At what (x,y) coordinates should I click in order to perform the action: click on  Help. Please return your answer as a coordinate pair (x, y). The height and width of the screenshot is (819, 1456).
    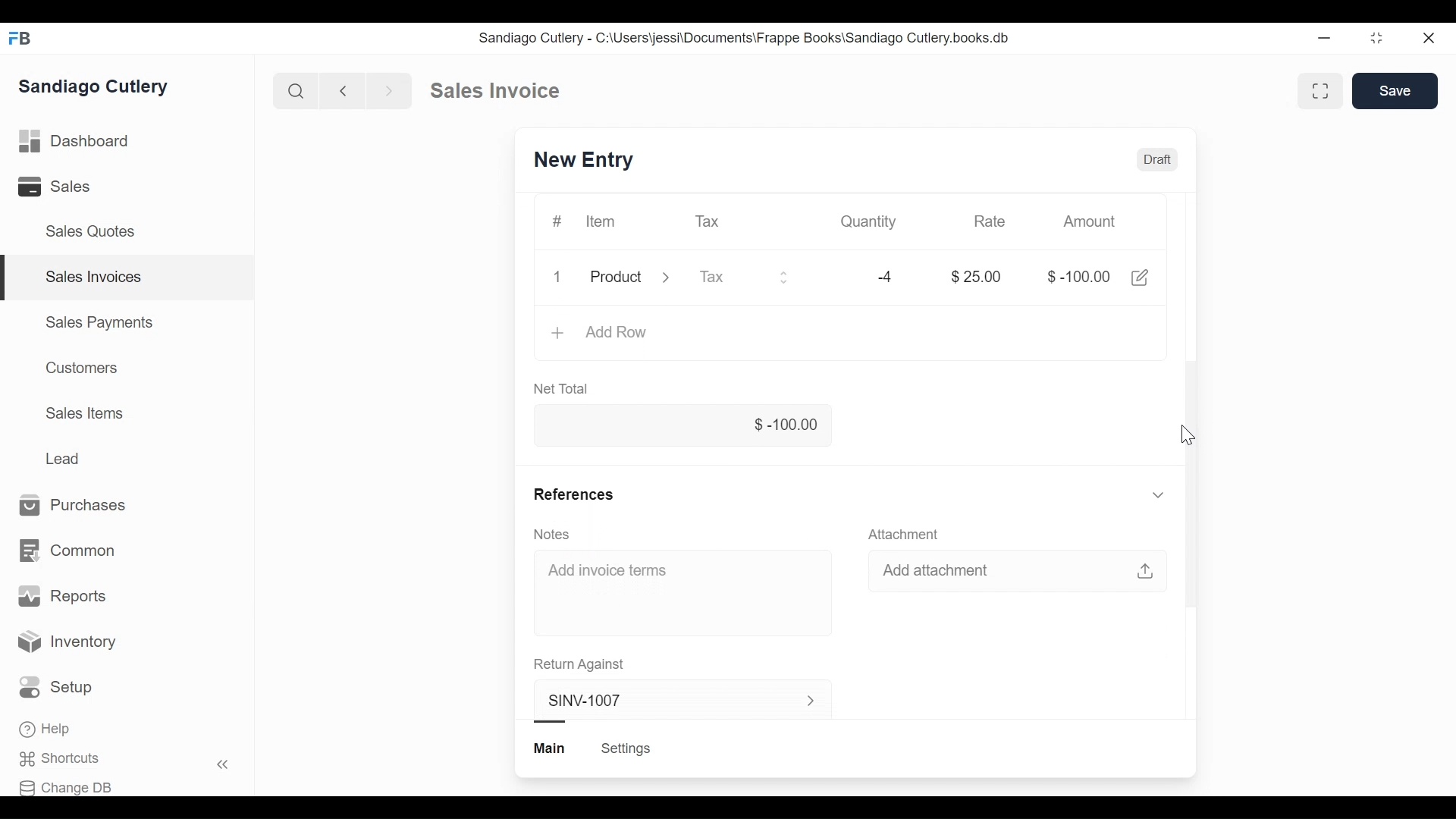
    Looking at the image, I should click on (45, 729).